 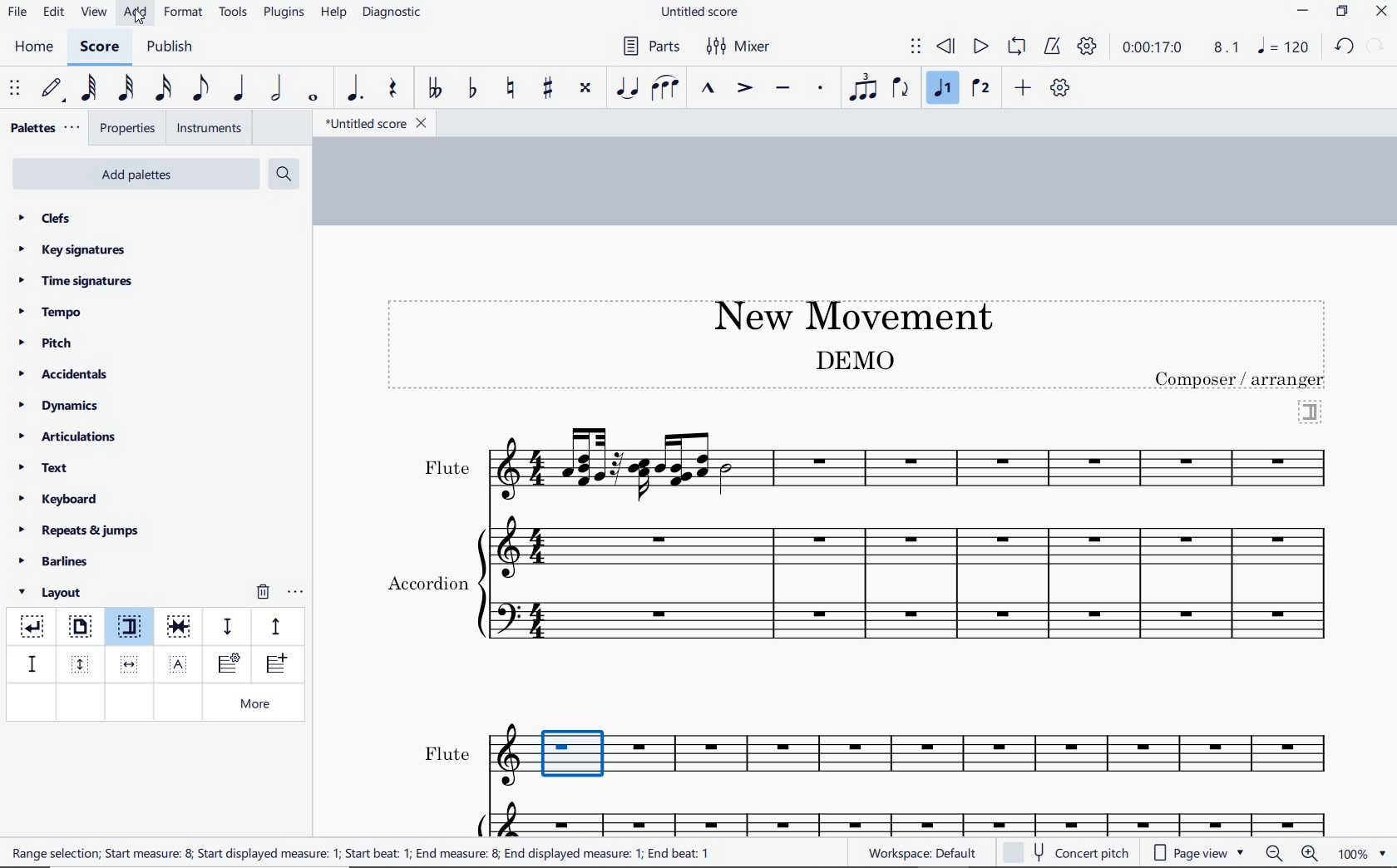 I want to click on voice 2, so click(x=981, y=89).